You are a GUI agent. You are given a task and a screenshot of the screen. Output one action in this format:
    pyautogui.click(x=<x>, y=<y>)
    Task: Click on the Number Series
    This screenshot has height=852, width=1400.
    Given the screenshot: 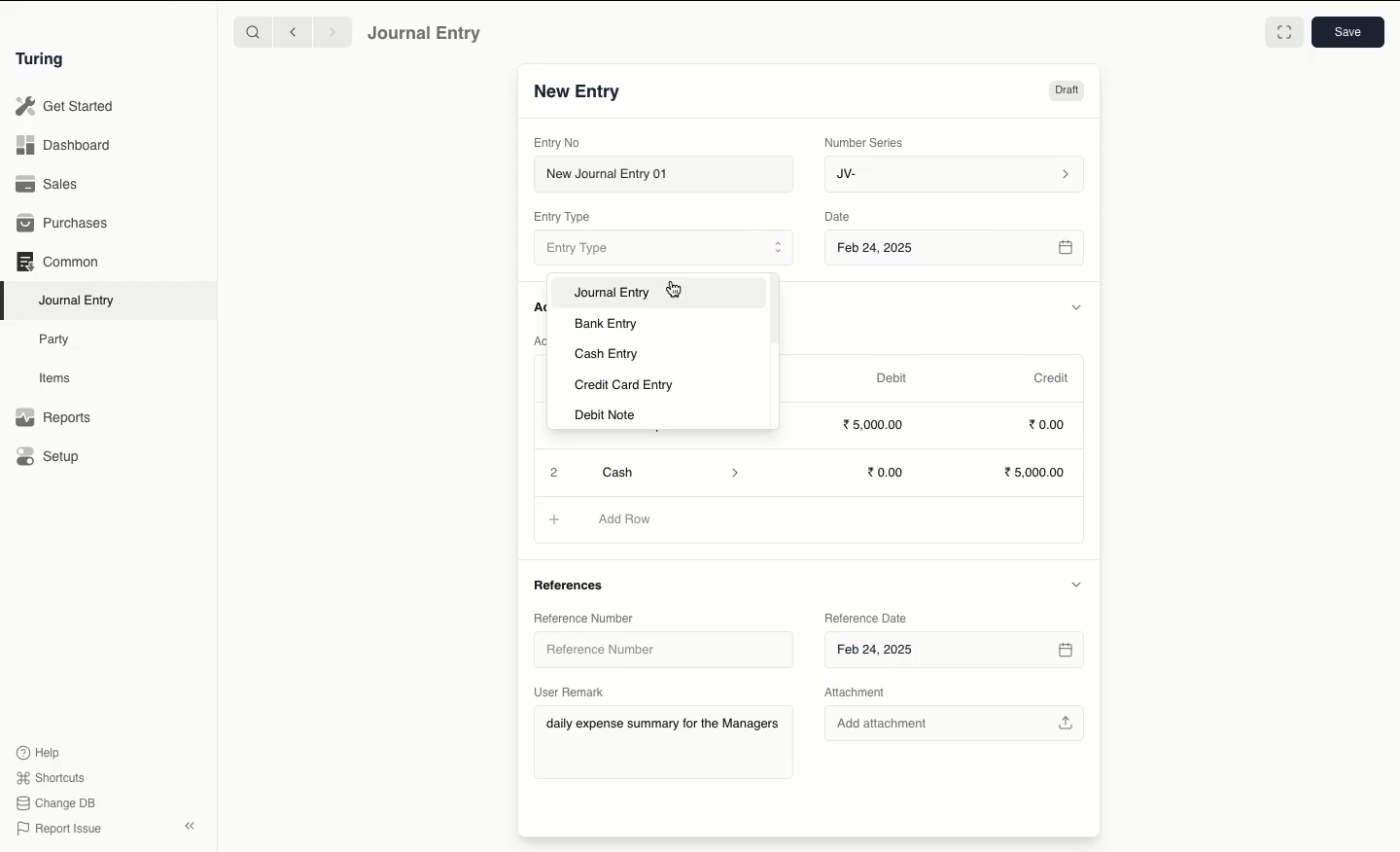 What is the action you would take?
    pyautogui.click(x=867, y=143)
    